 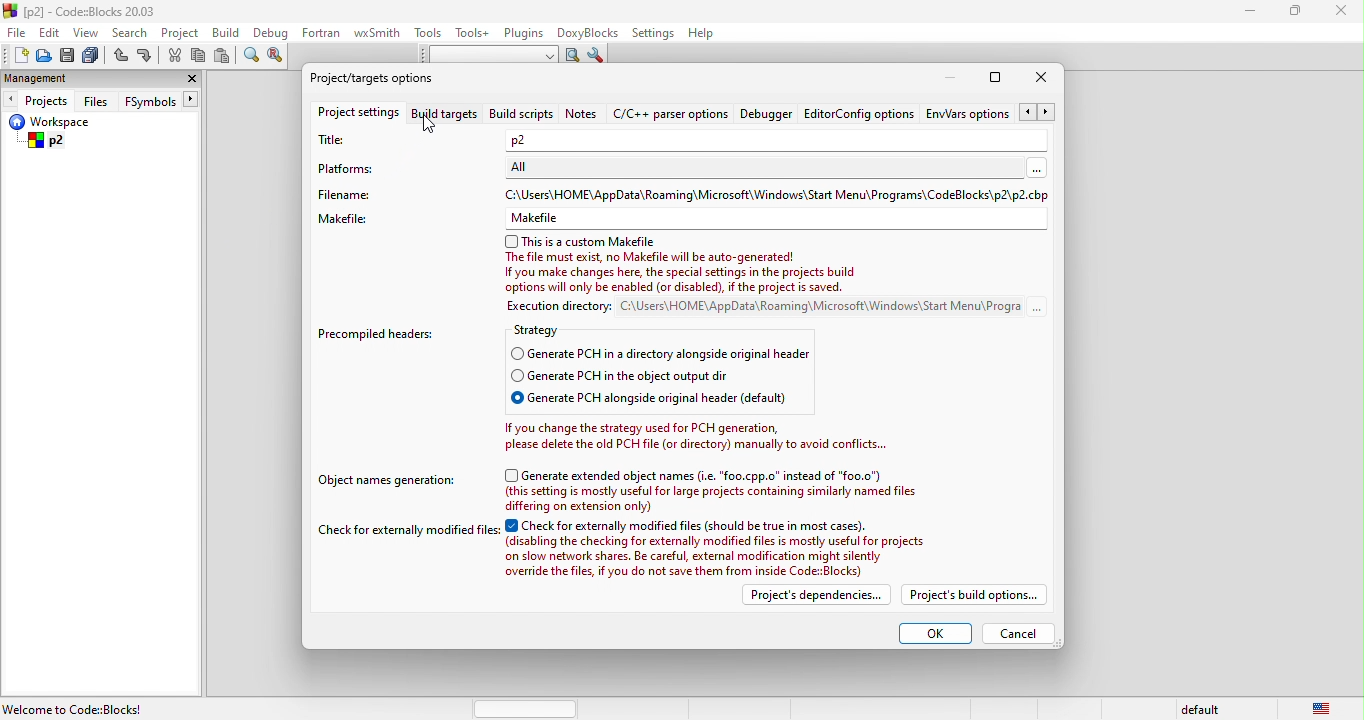 I want to click on close, so click(x=1345, y=14).